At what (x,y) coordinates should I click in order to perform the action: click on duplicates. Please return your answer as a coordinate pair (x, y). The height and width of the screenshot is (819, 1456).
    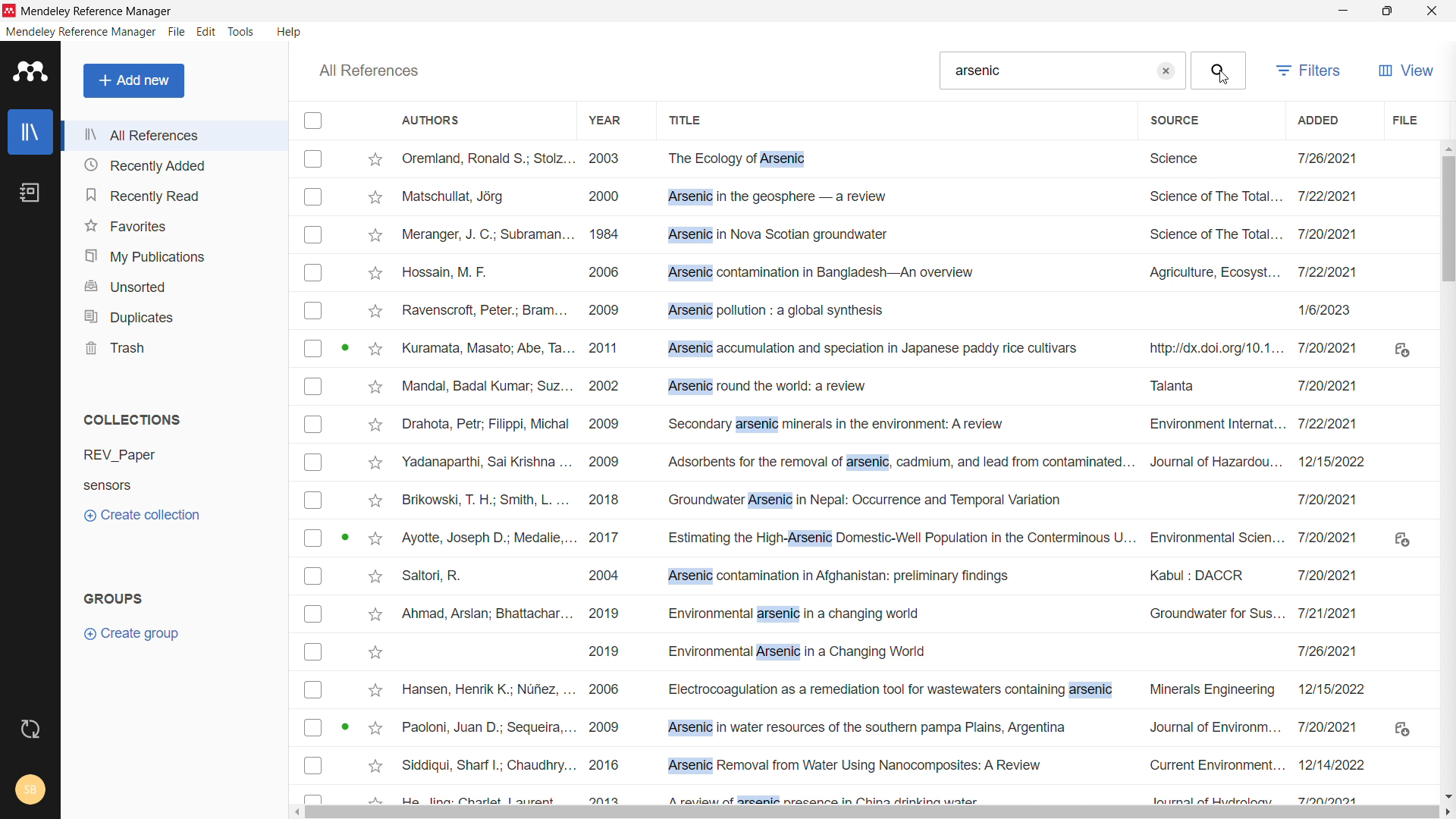
    Looking at the image, I should click on (174, 316).